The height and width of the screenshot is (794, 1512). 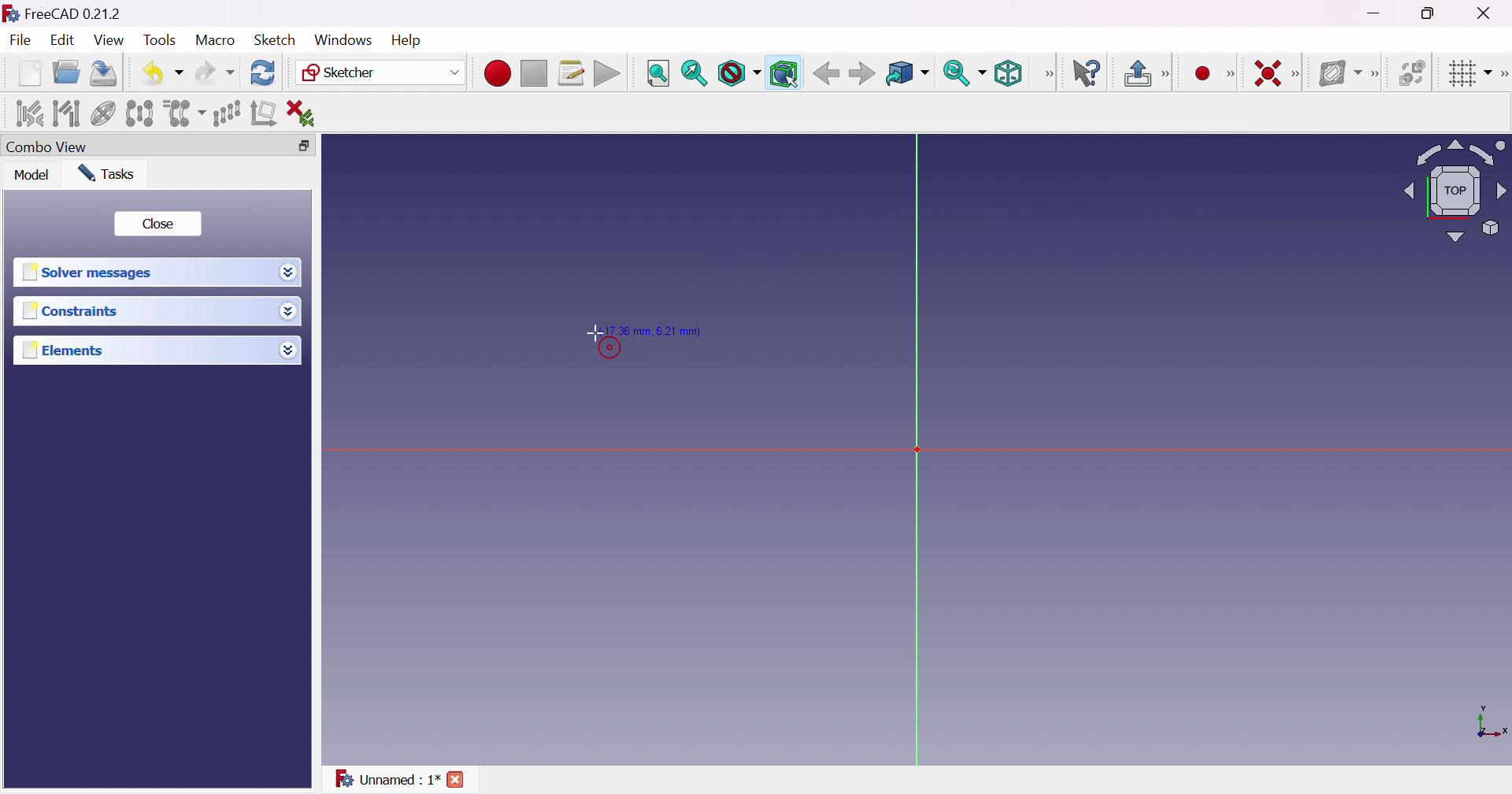 I want to click on Sketch, so click(x=276, y=39).